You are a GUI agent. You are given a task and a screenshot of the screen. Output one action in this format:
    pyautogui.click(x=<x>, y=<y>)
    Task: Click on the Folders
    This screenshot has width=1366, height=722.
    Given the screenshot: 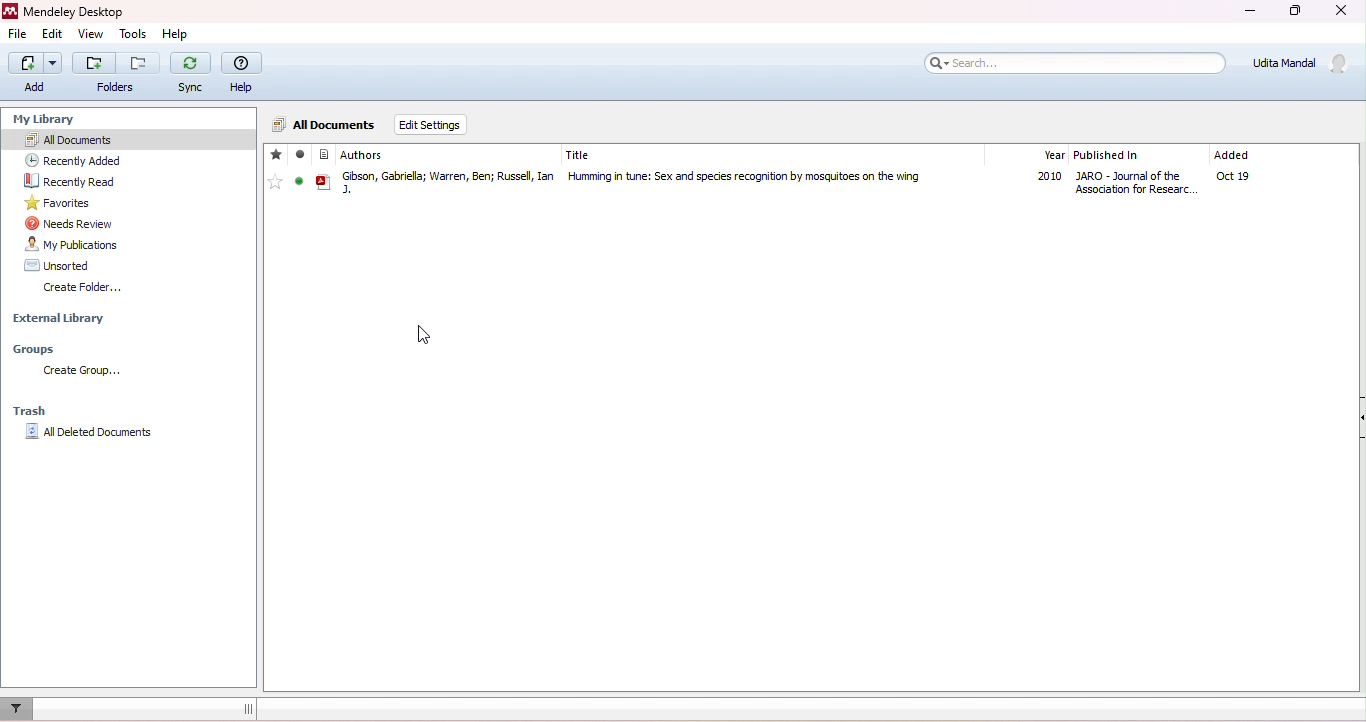 What is the action you would take?
    pyautogui.click(x=115, y=86)
    